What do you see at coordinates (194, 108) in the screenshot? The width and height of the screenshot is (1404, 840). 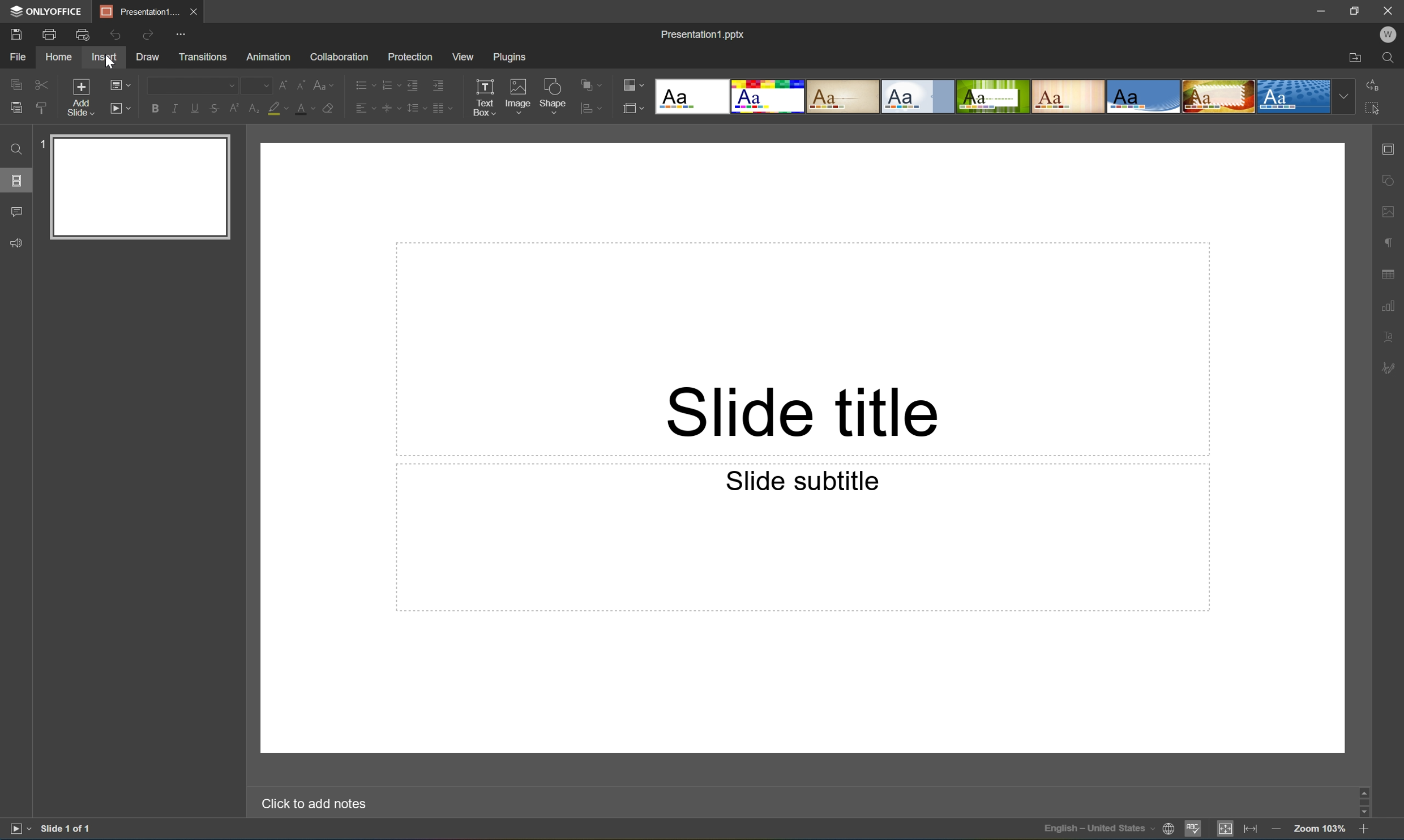 I see `Underline` at bounding box center [194, 108].